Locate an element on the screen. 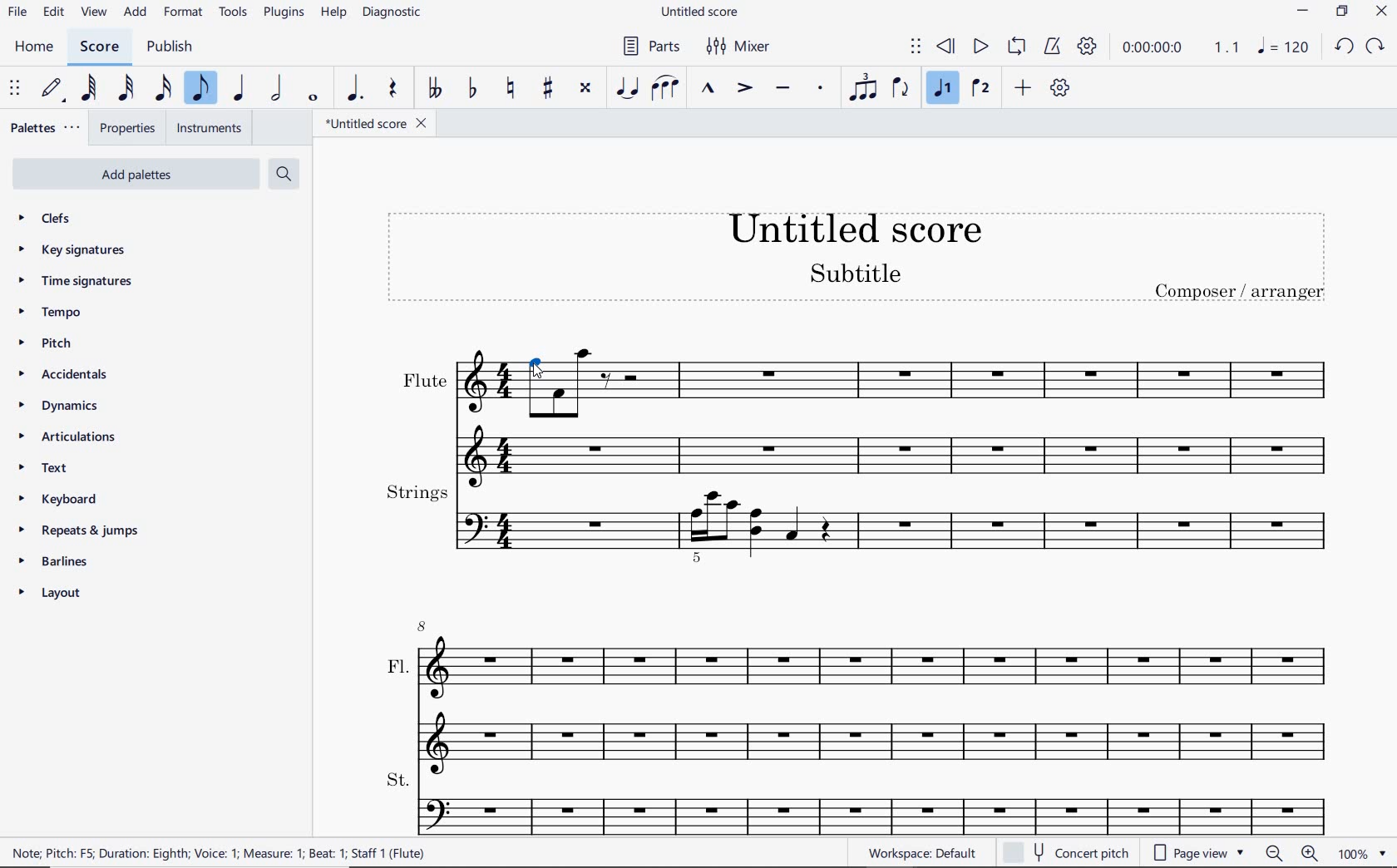 The width and height of the screenshot is (1397, 868). TOGGLE NATURAL is located at coordinates (511, 89).